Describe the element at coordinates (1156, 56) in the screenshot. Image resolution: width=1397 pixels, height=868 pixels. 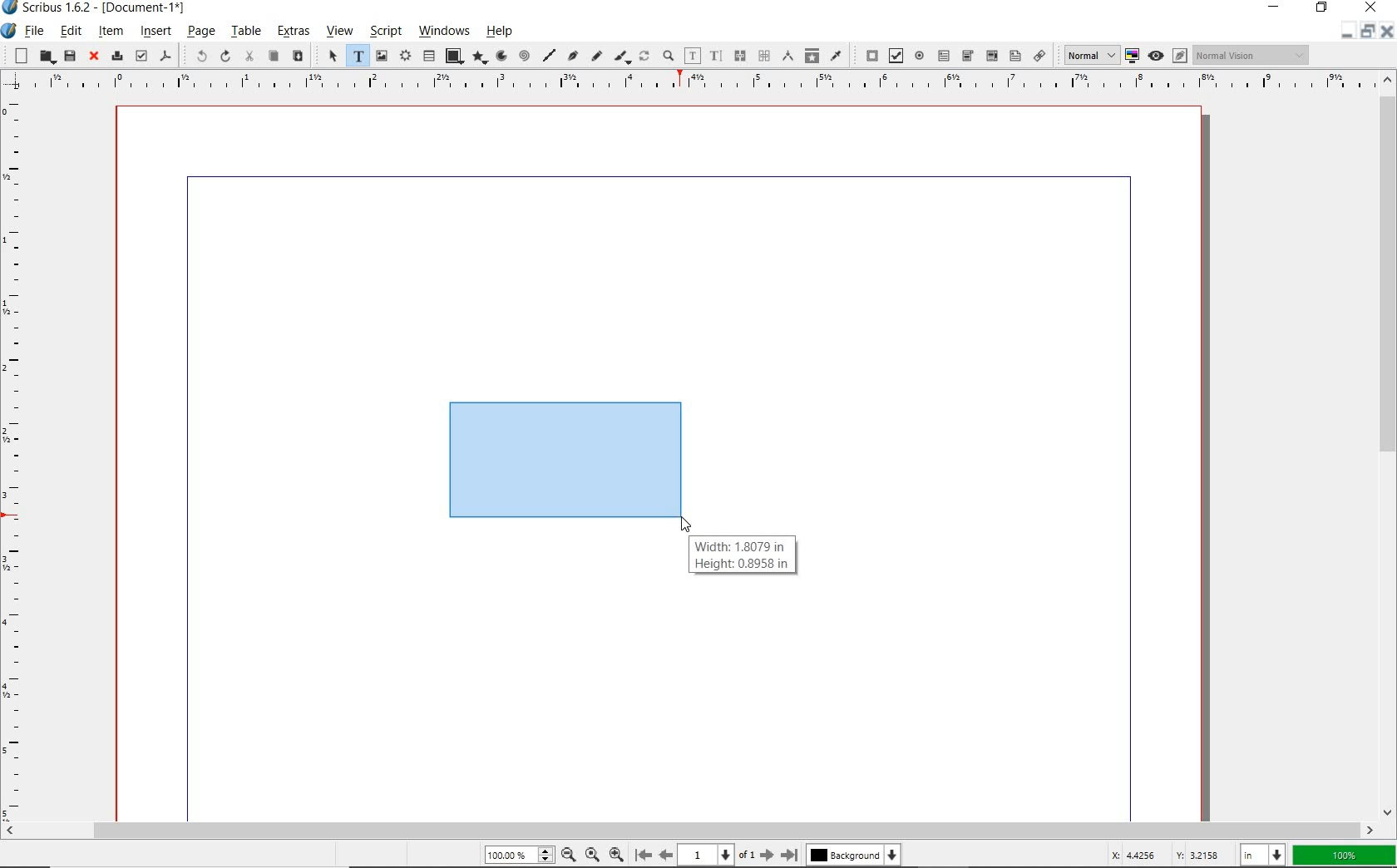
I see `preview mode` at that location.